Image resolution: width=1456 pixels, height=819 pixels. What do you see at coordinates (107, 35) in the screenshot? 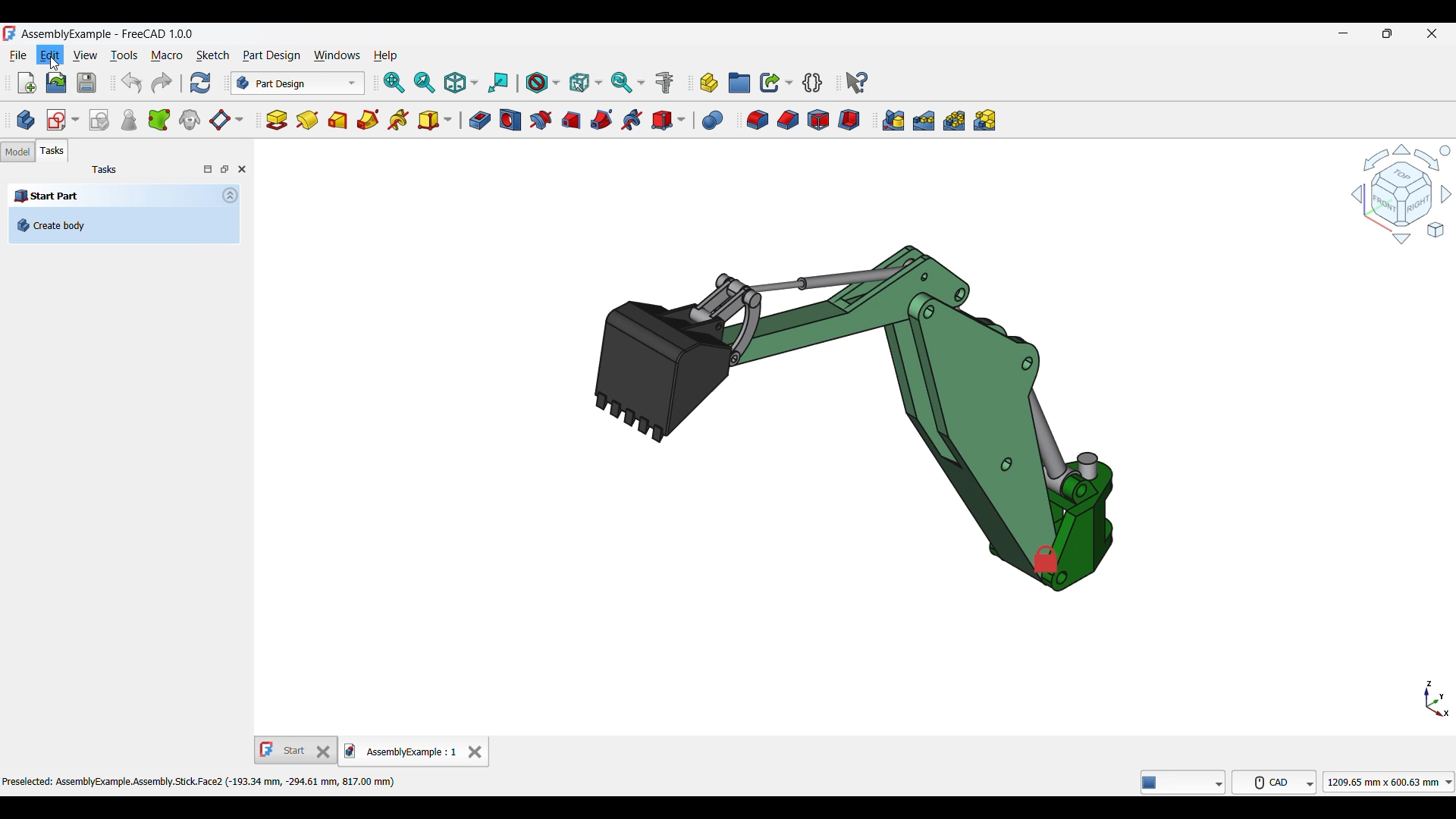
I see `AssemblyExample - FreeCAD 1.0.0` at bounding box center [107, 35].